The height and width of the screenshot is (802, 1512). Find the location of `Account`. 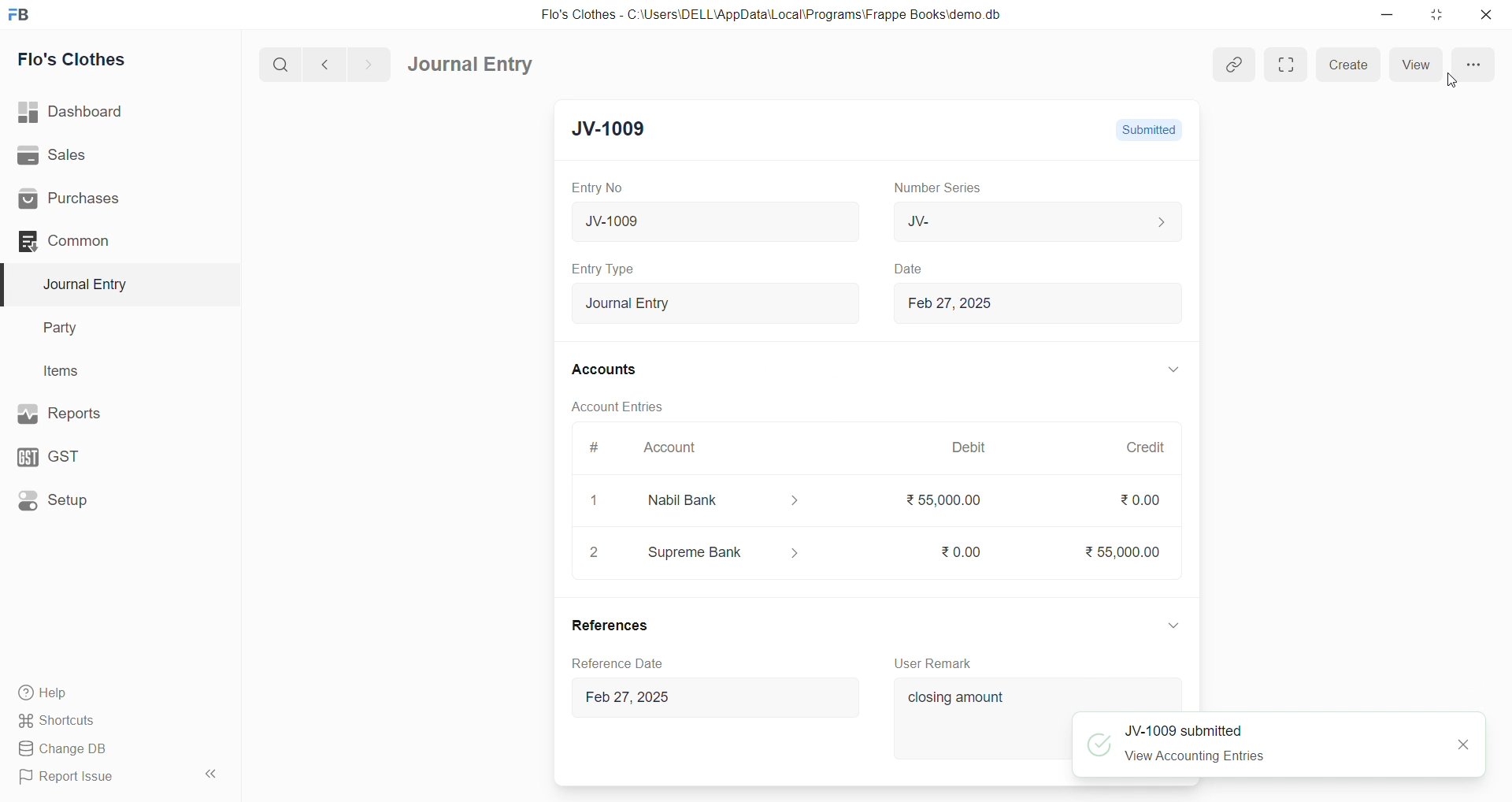

Account is located at coordinates (676, 446).